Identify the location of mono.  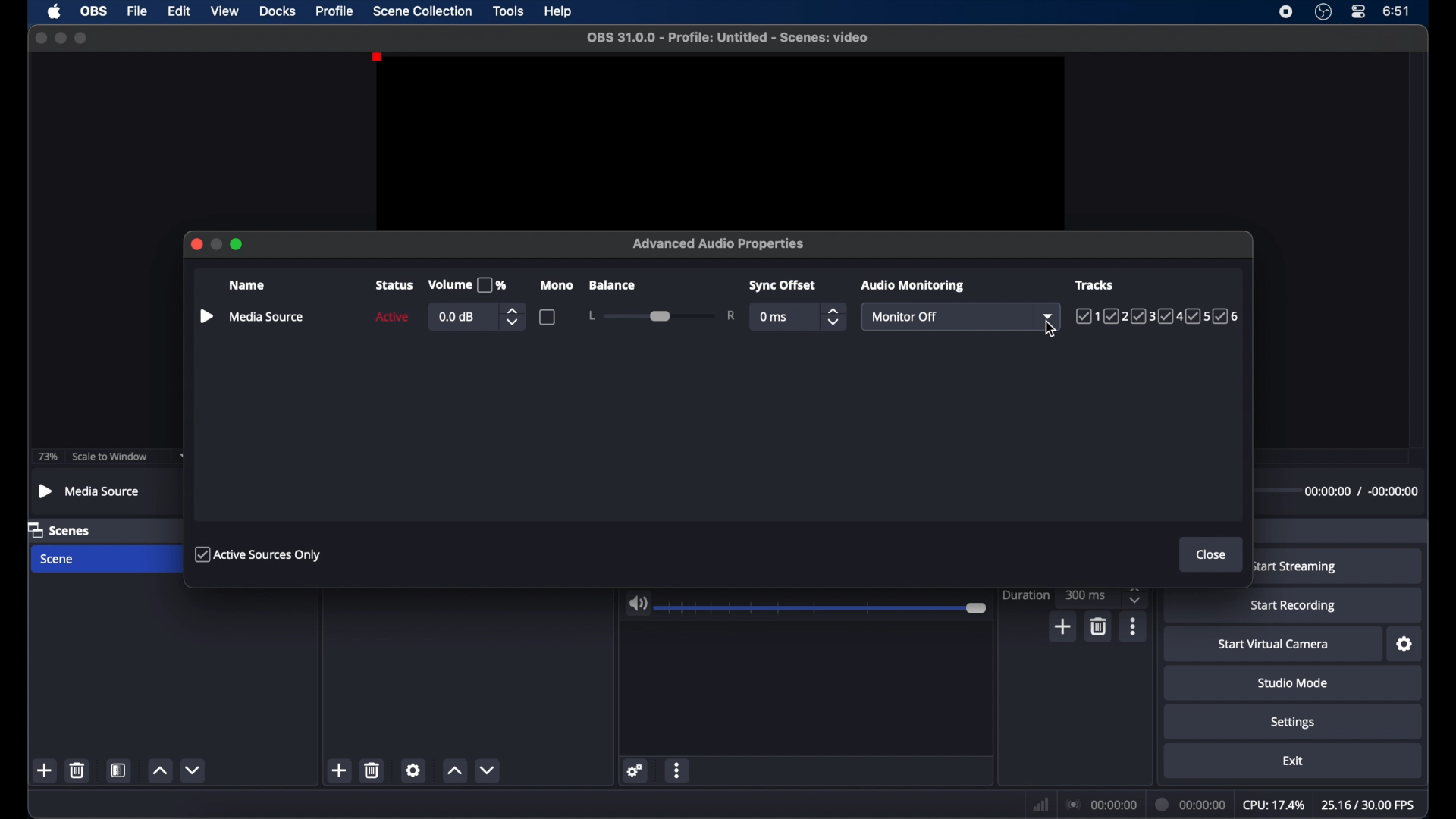
(556, 285).